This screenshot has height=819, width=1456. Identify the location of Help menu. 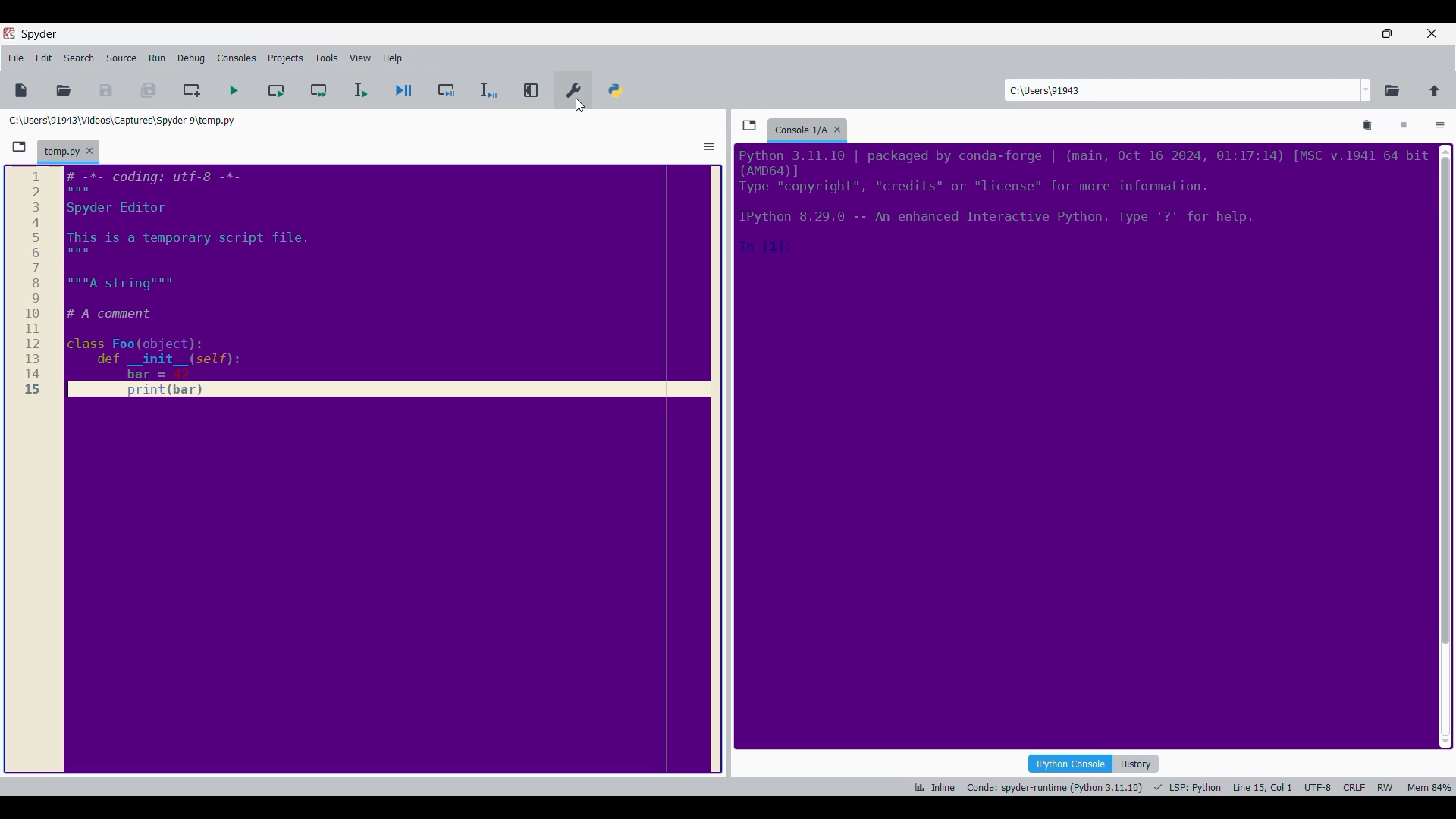
(393, 58).